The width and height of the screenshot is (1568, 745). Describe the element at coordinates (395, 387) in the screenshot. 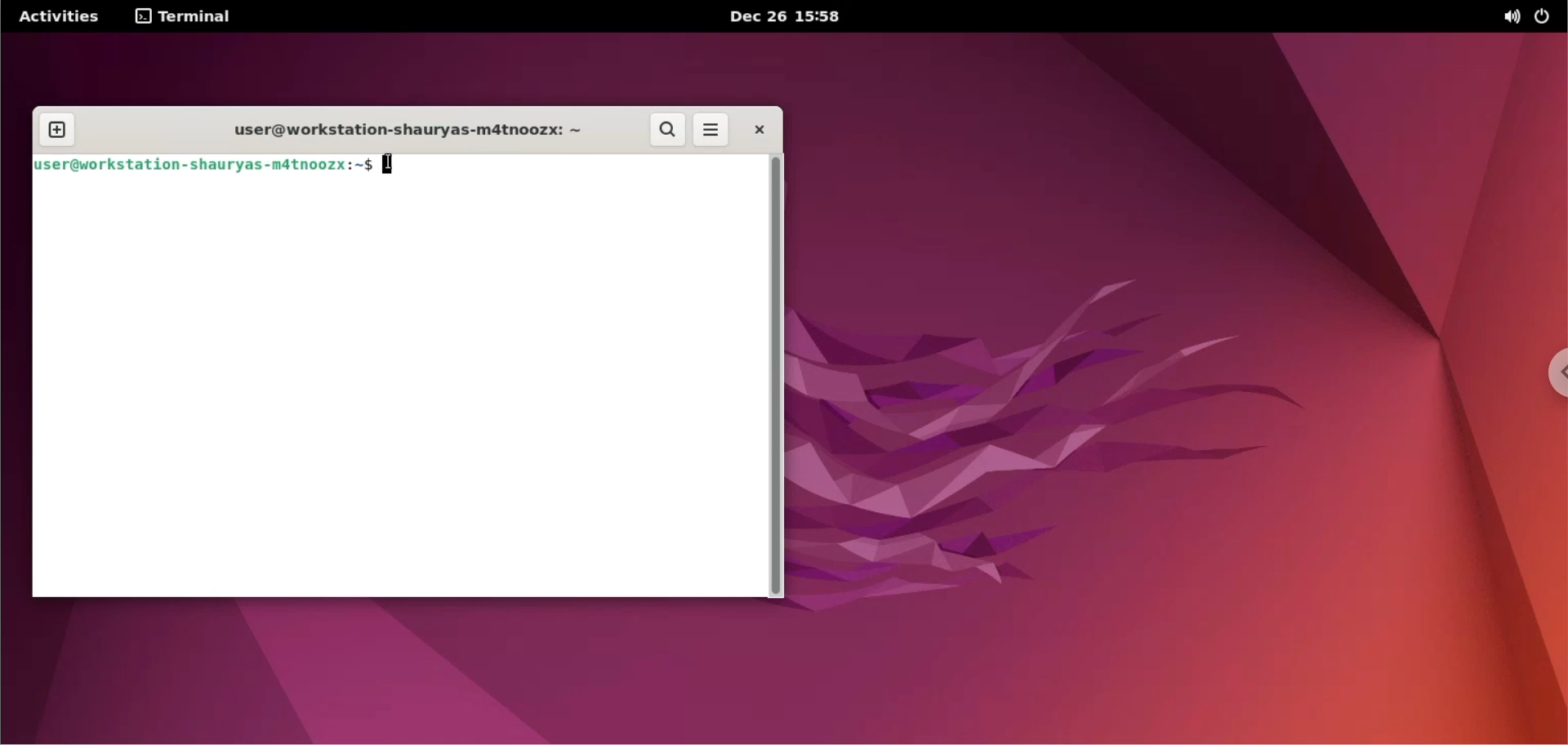

I see `Command input` at that location.